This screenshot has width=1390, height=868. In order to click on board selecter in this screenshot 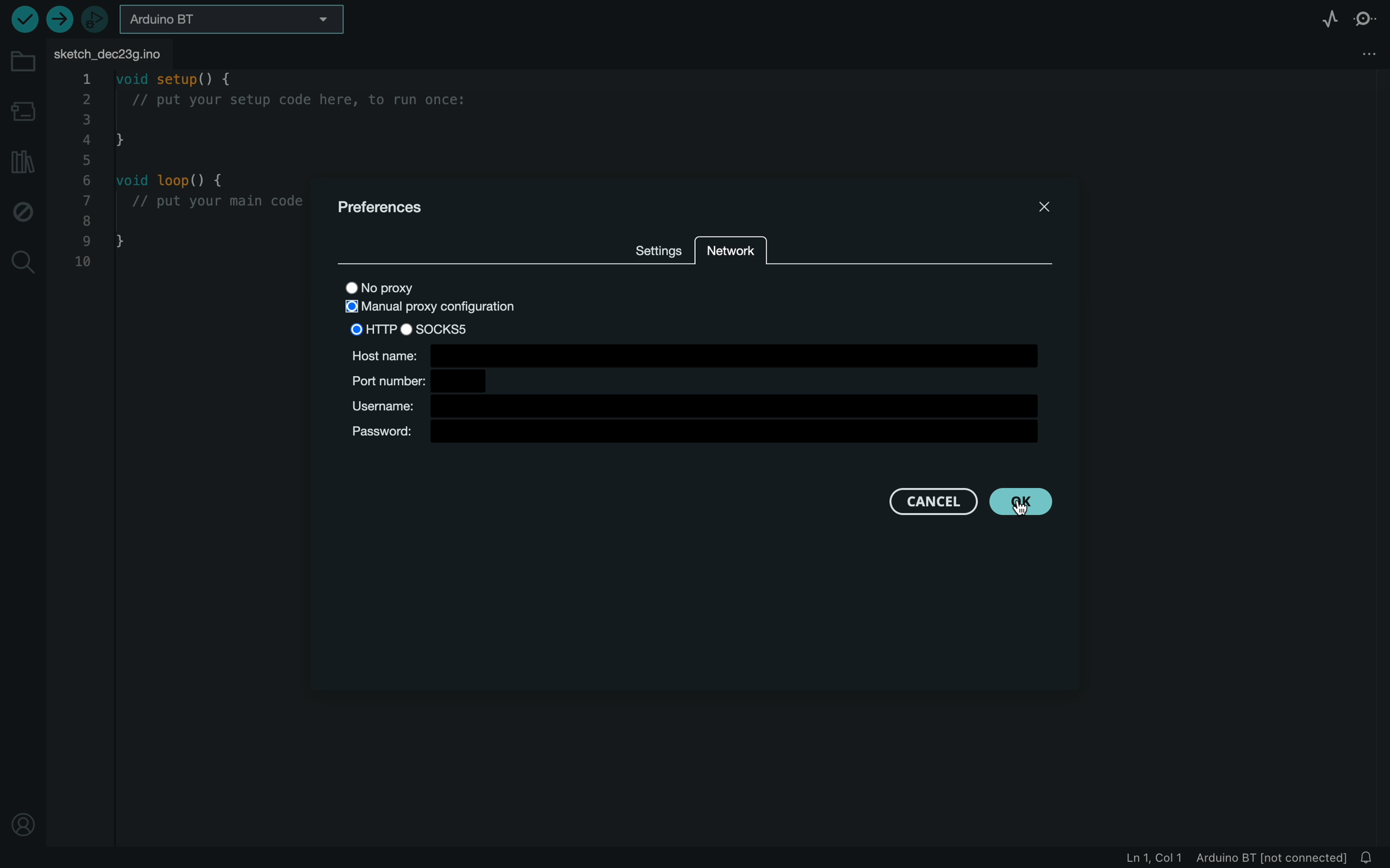, I will do `click(232, 20)`.